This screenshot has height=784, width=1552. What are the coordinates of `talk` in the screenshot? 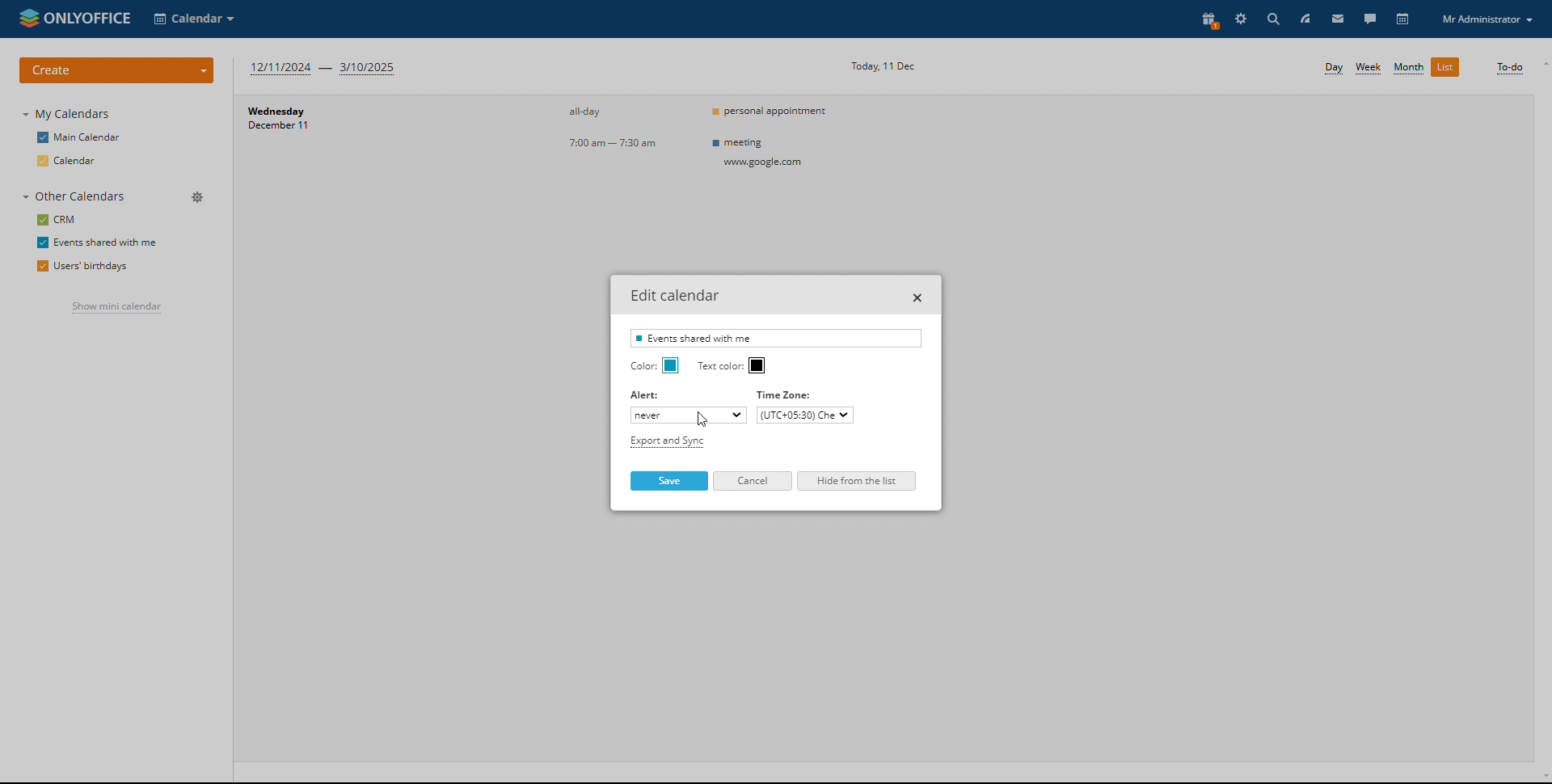 It's located at (1369, 19).